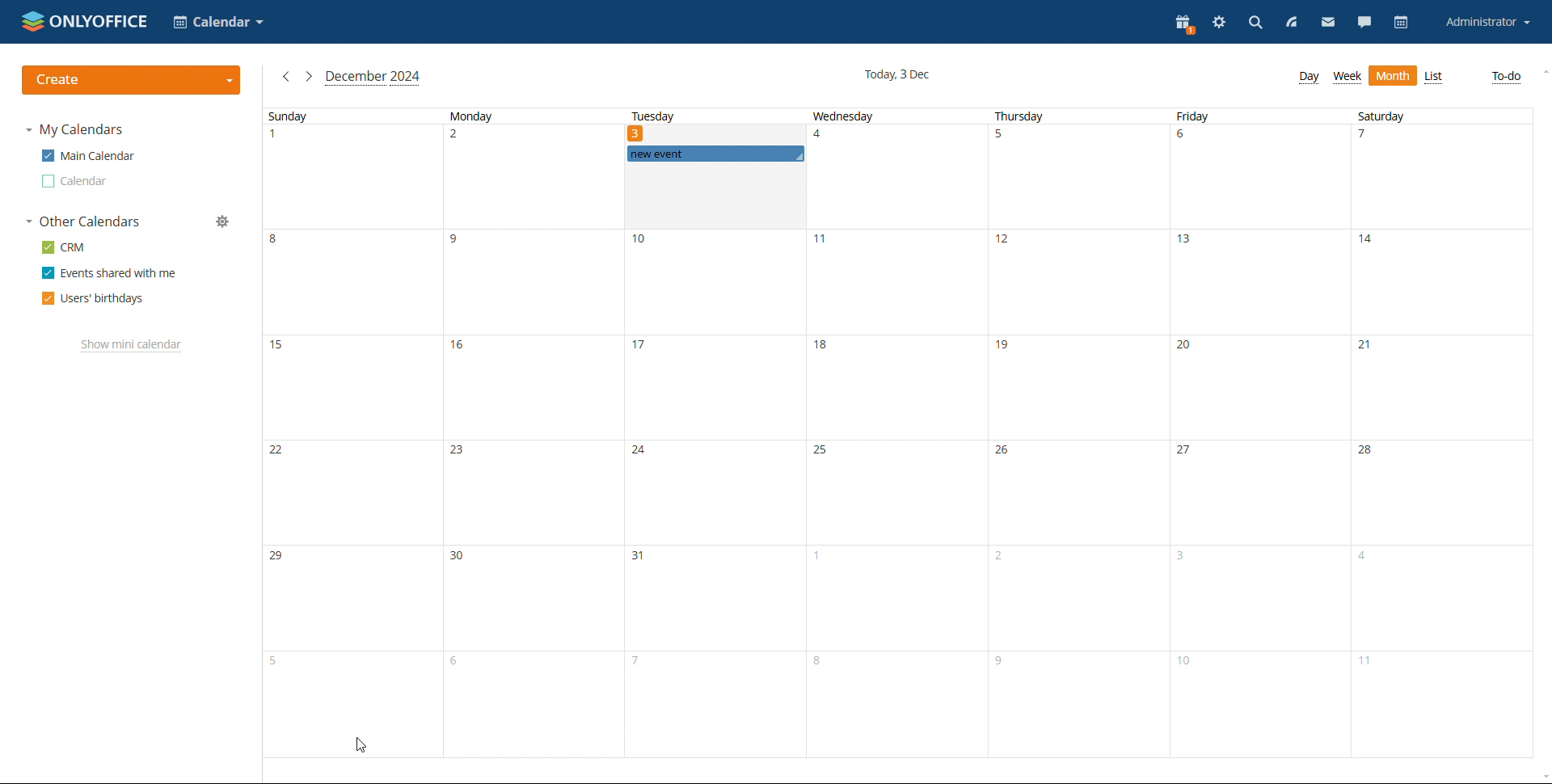  I want to click on tuesday, so click(652, 117).